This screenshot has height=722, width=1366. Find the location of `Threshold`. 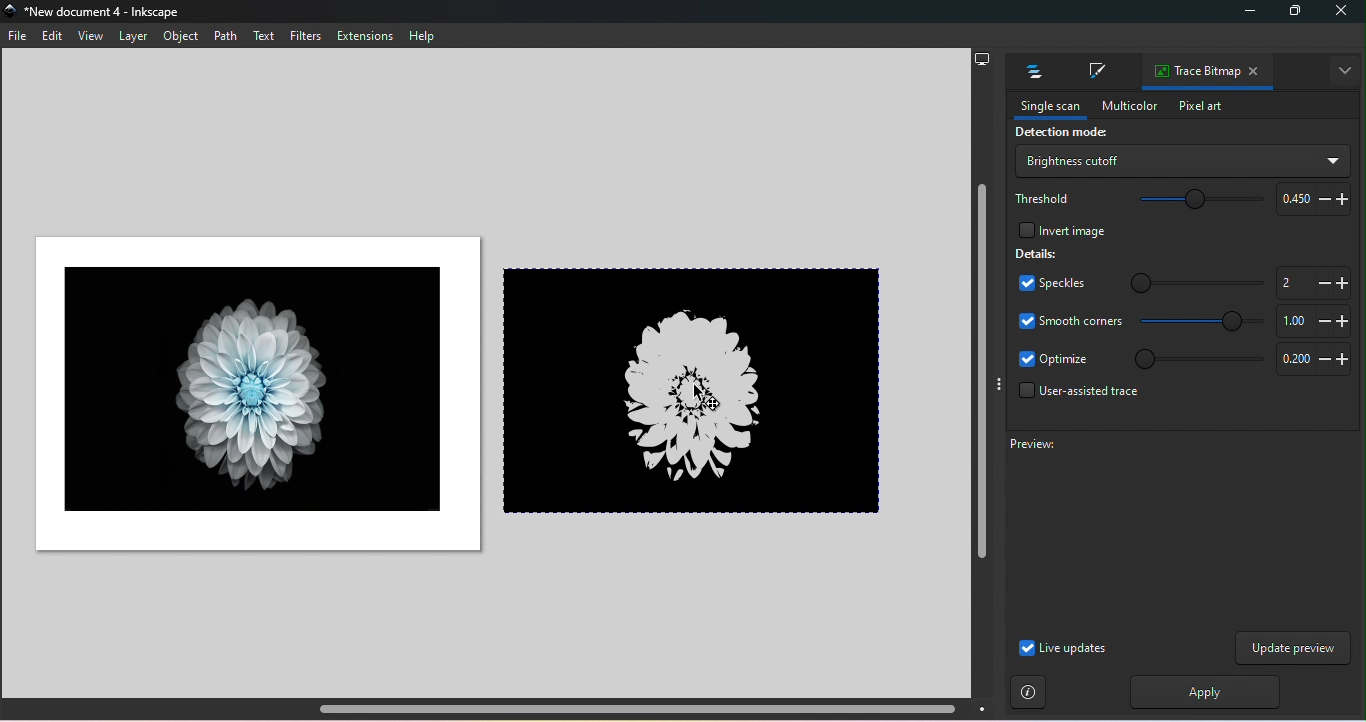

Threshold is located at coordinates (1044, 197).